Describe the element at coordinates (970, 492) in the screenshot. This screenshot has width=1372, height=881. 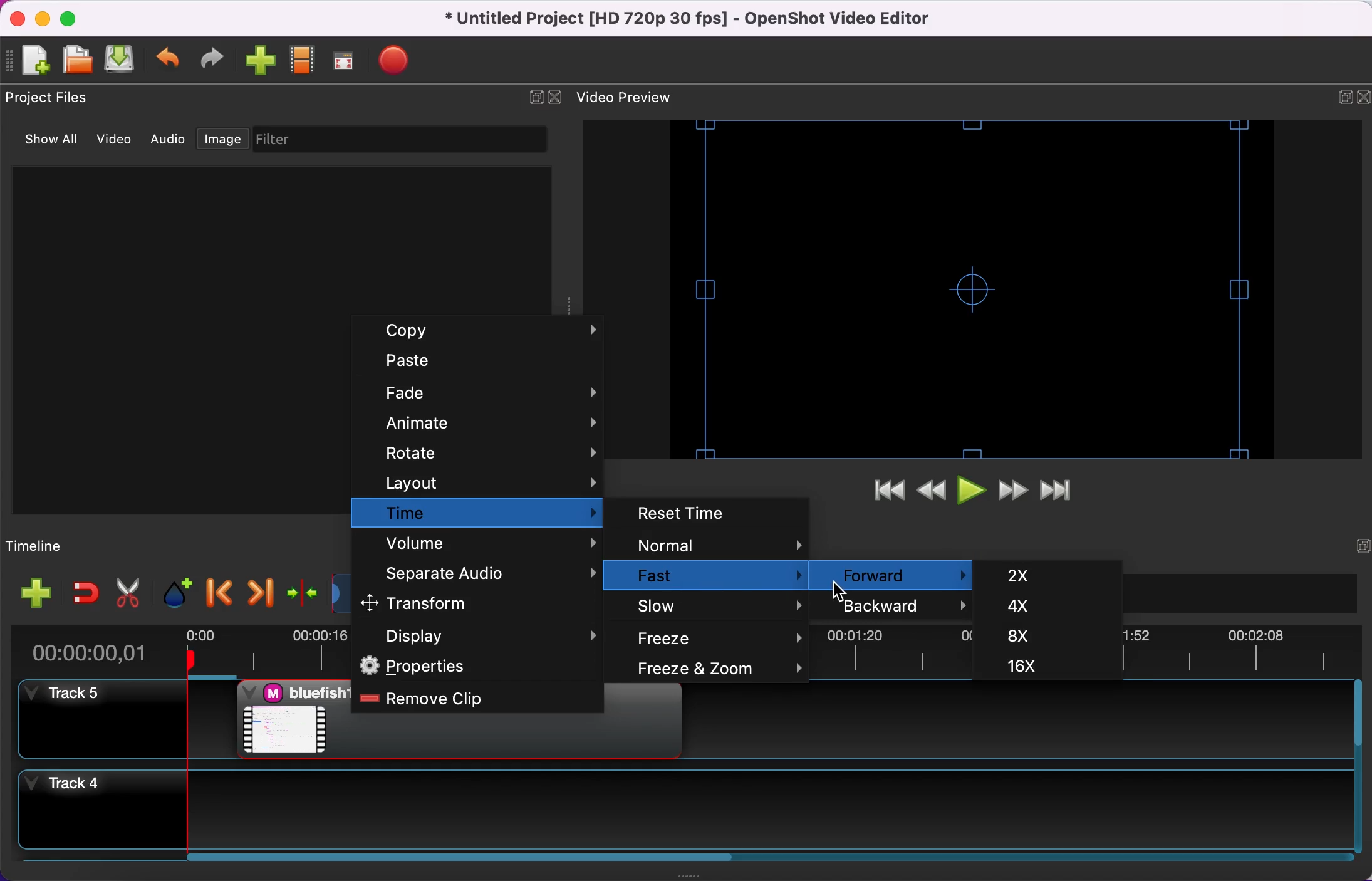
I see `play` at that location.